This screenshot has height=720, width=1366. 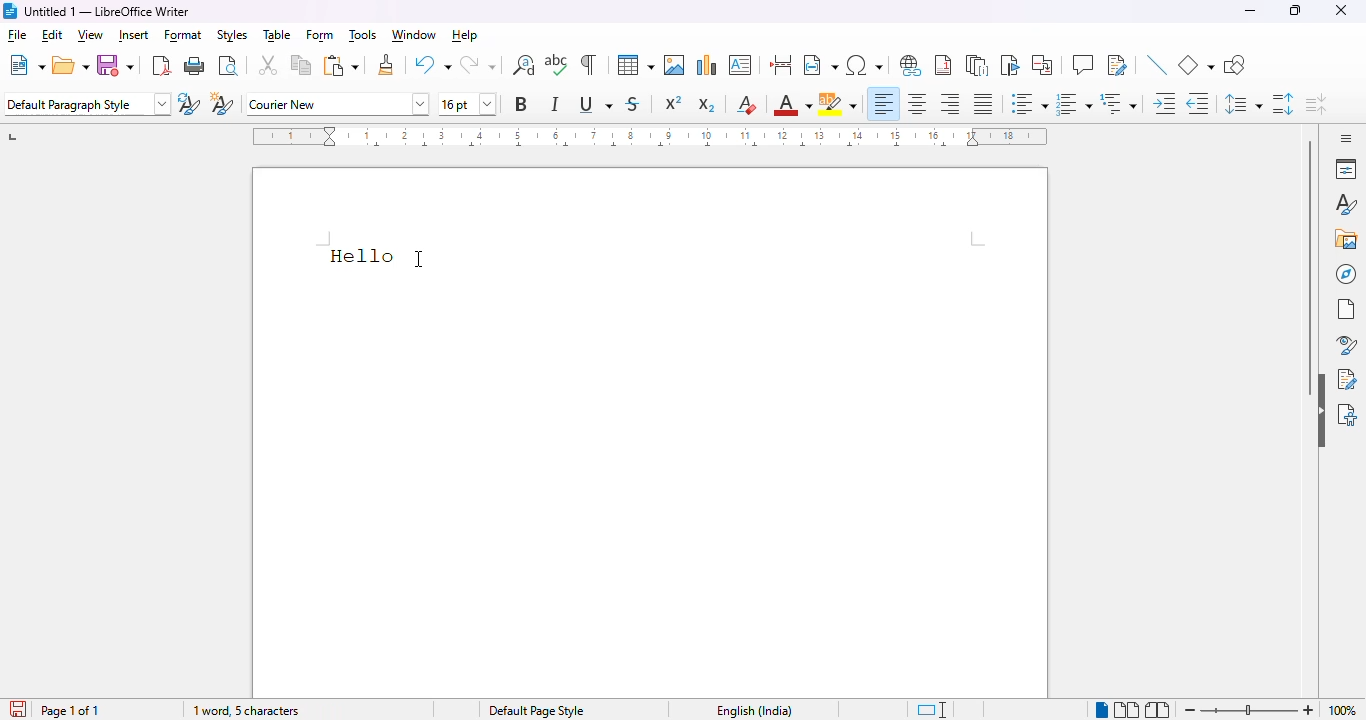 What do you see at coordinates (1042, 64) in the screenshot?
I see `insert cross-reference` at bounding box center [1042, 64].